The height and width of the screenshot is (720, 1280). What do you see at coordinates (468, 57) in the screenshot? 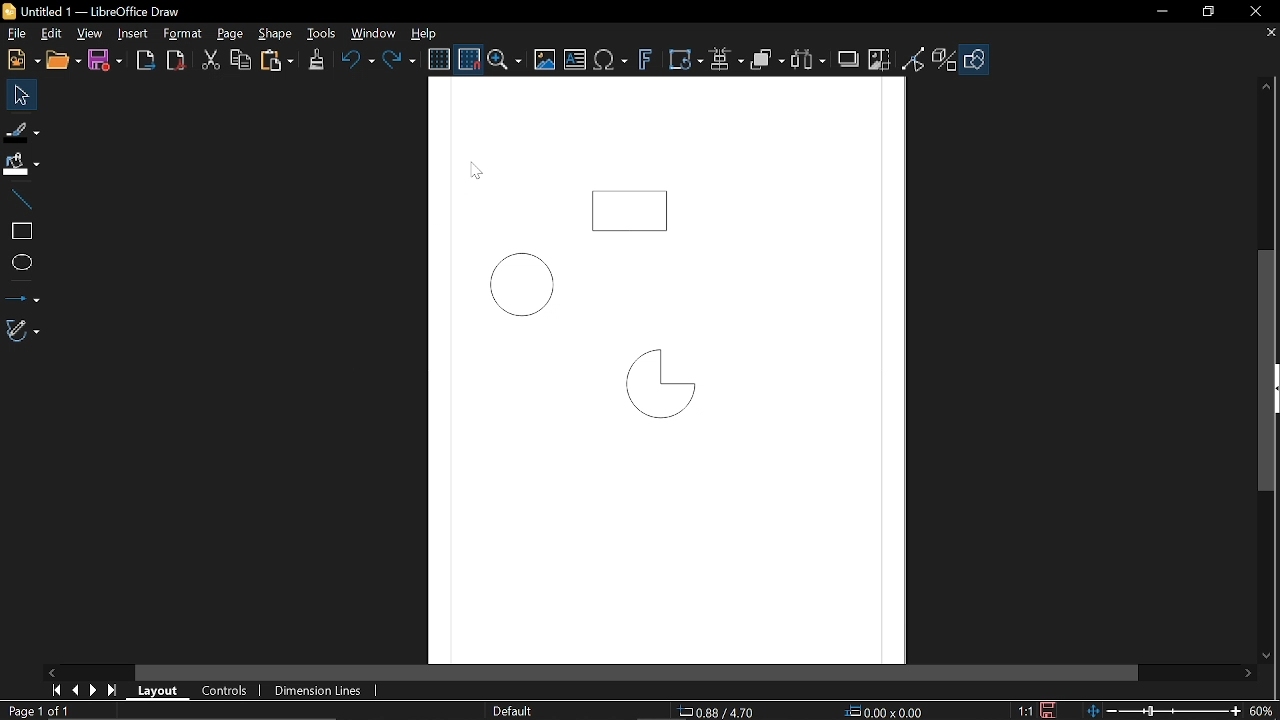
I see `Snap to grid` at bounding box center [468, 57].